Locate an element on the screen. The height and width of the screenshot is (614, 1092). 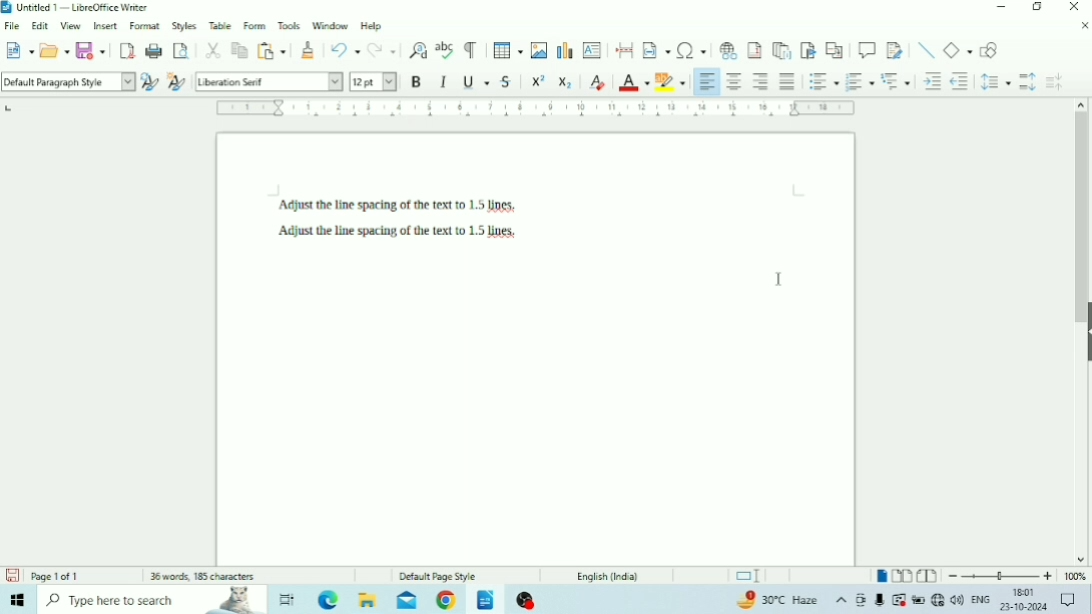
Font Color is located at coordinates (634, 82).